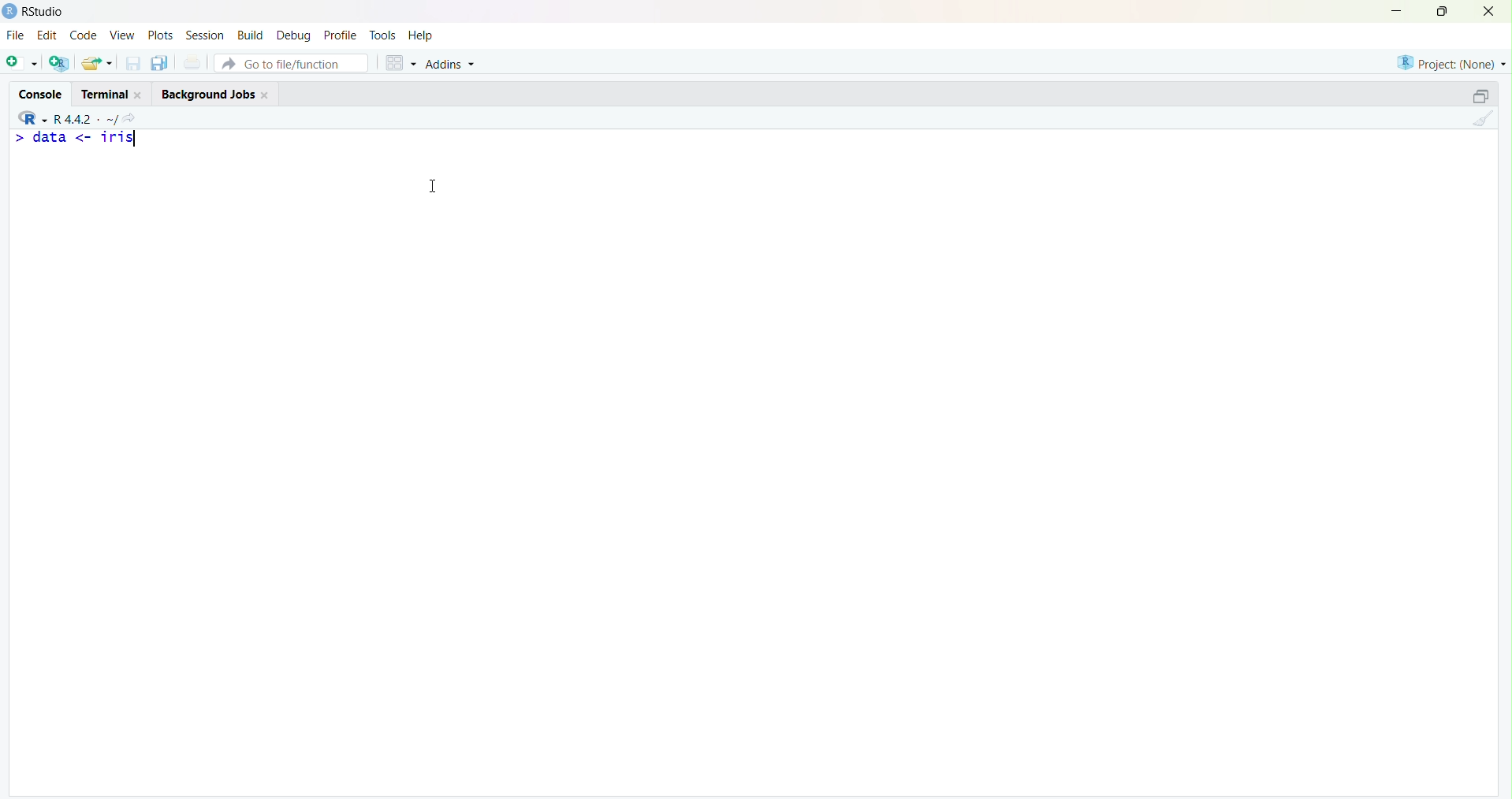  I want to click on Plots, so click(160, 35).